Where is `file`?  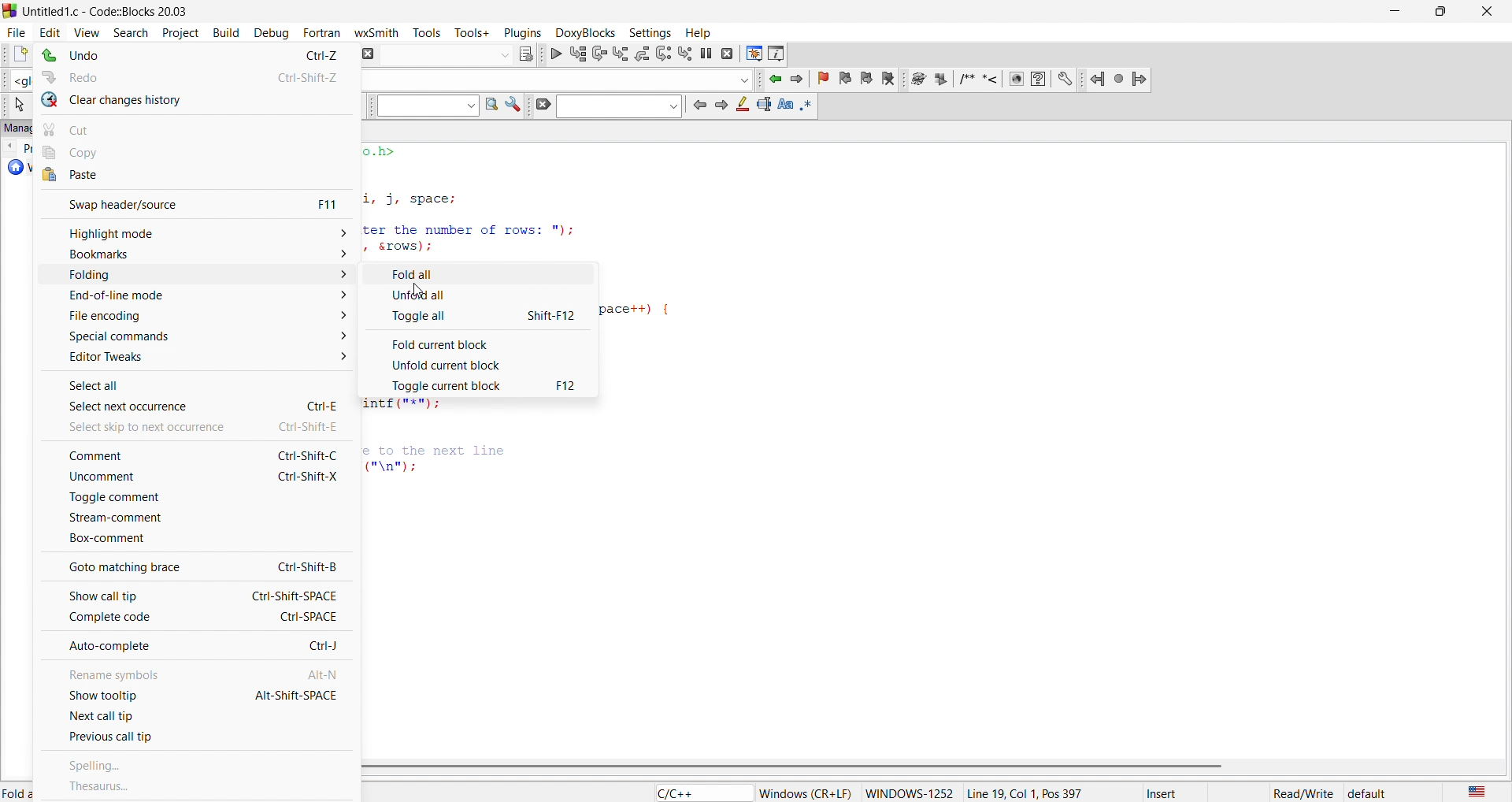 file is located at coordinates (14, 30).